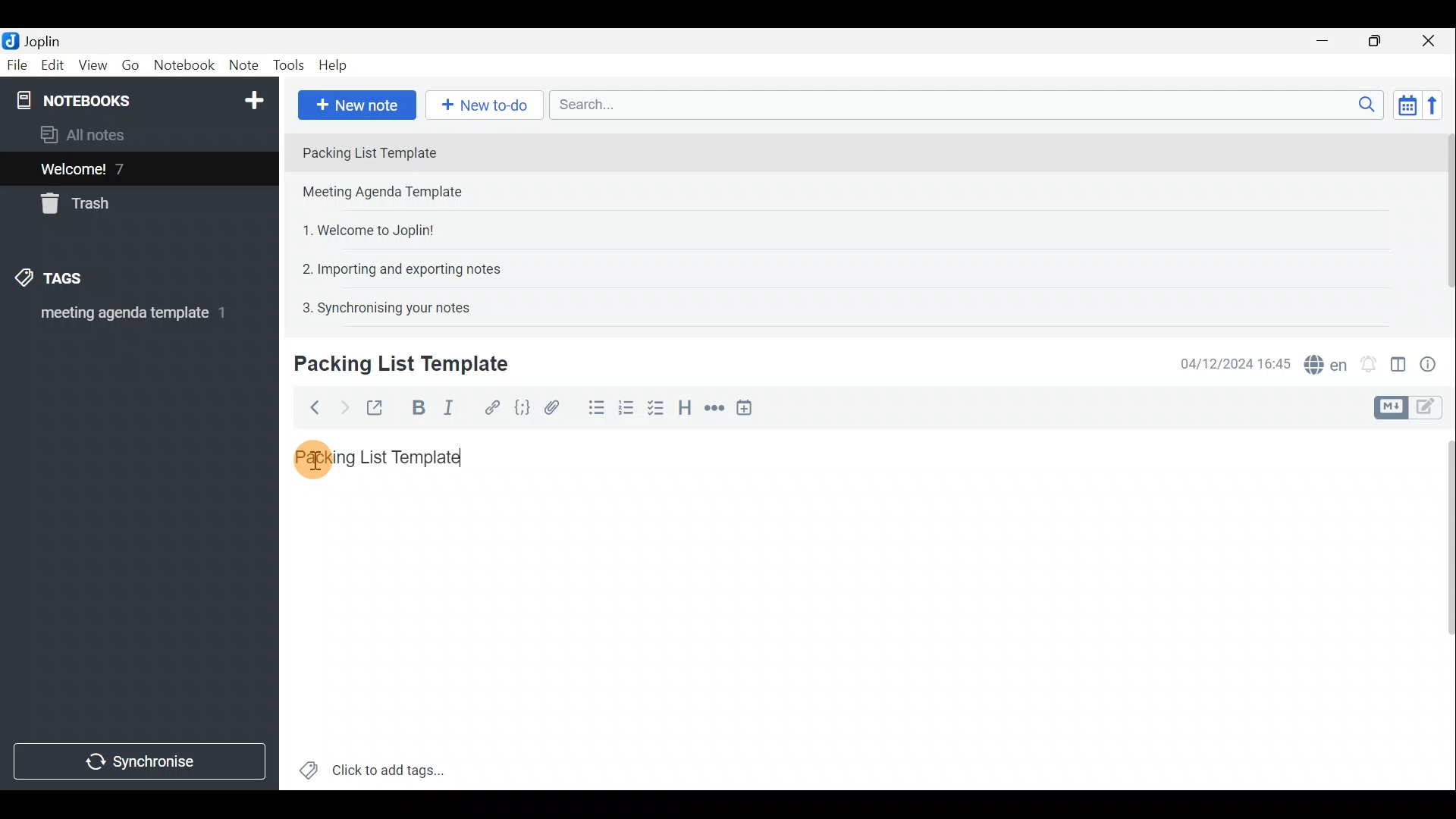 The width and height of the screenshot is (1456, 819). I want to click on Notebook, so click(137, 99).